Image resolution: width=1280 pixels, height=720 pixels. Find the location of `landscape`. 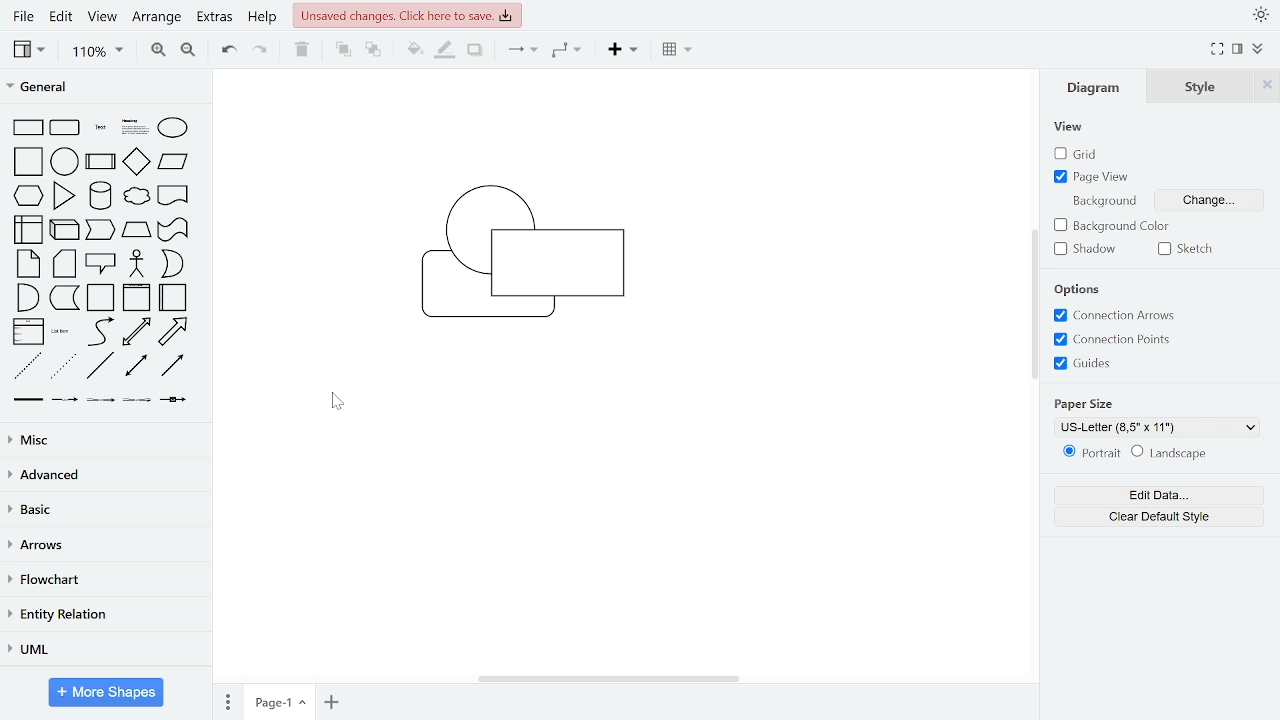

landscape is located at coordinates (1176, 454).